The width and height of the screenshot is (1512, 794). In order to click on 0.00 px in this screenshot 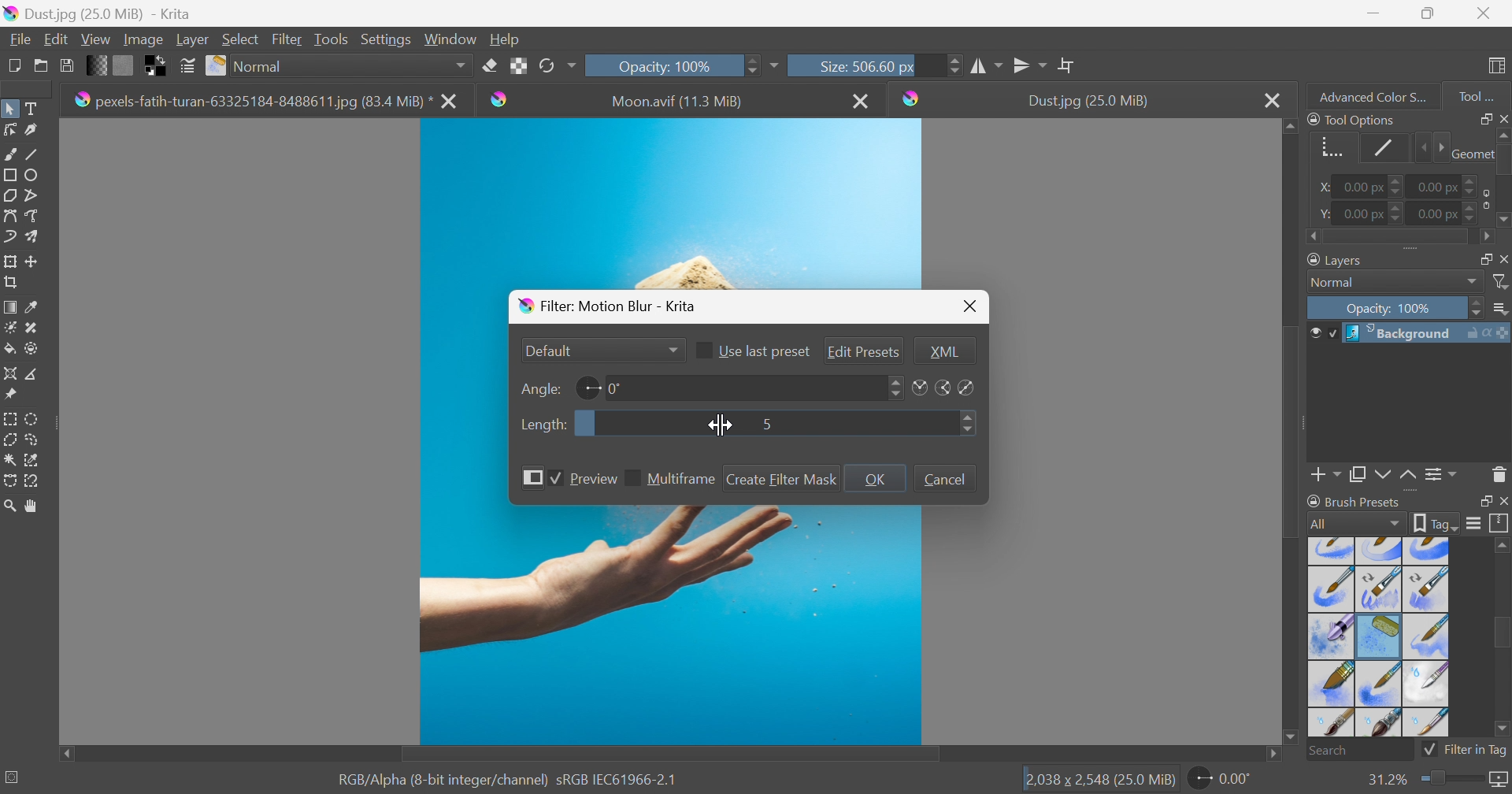, I will do `click(1361, 187)`.